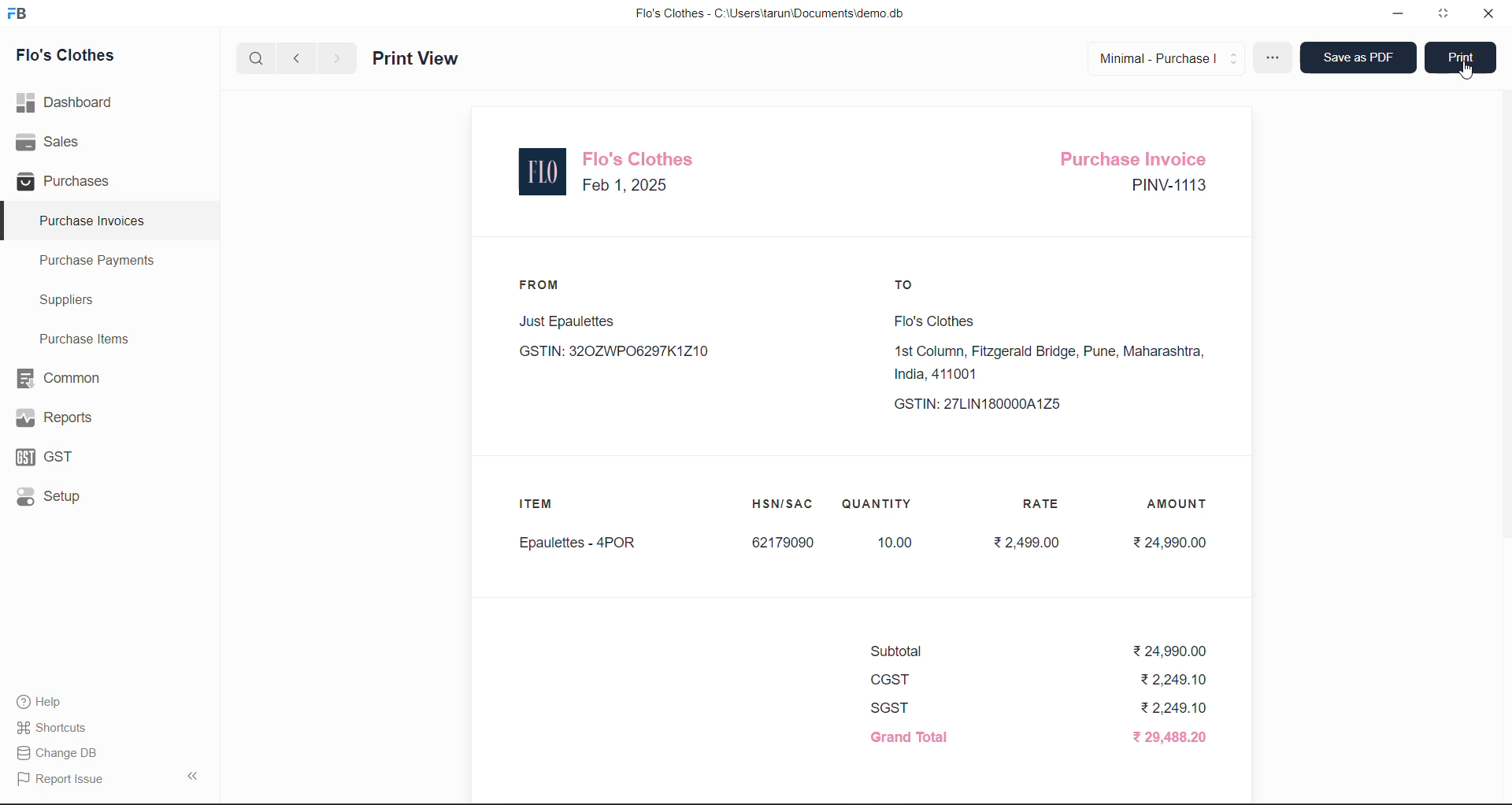 This screenshot has height=805, width=1512. I want to click on HSN/SAC, so click(785, 504).